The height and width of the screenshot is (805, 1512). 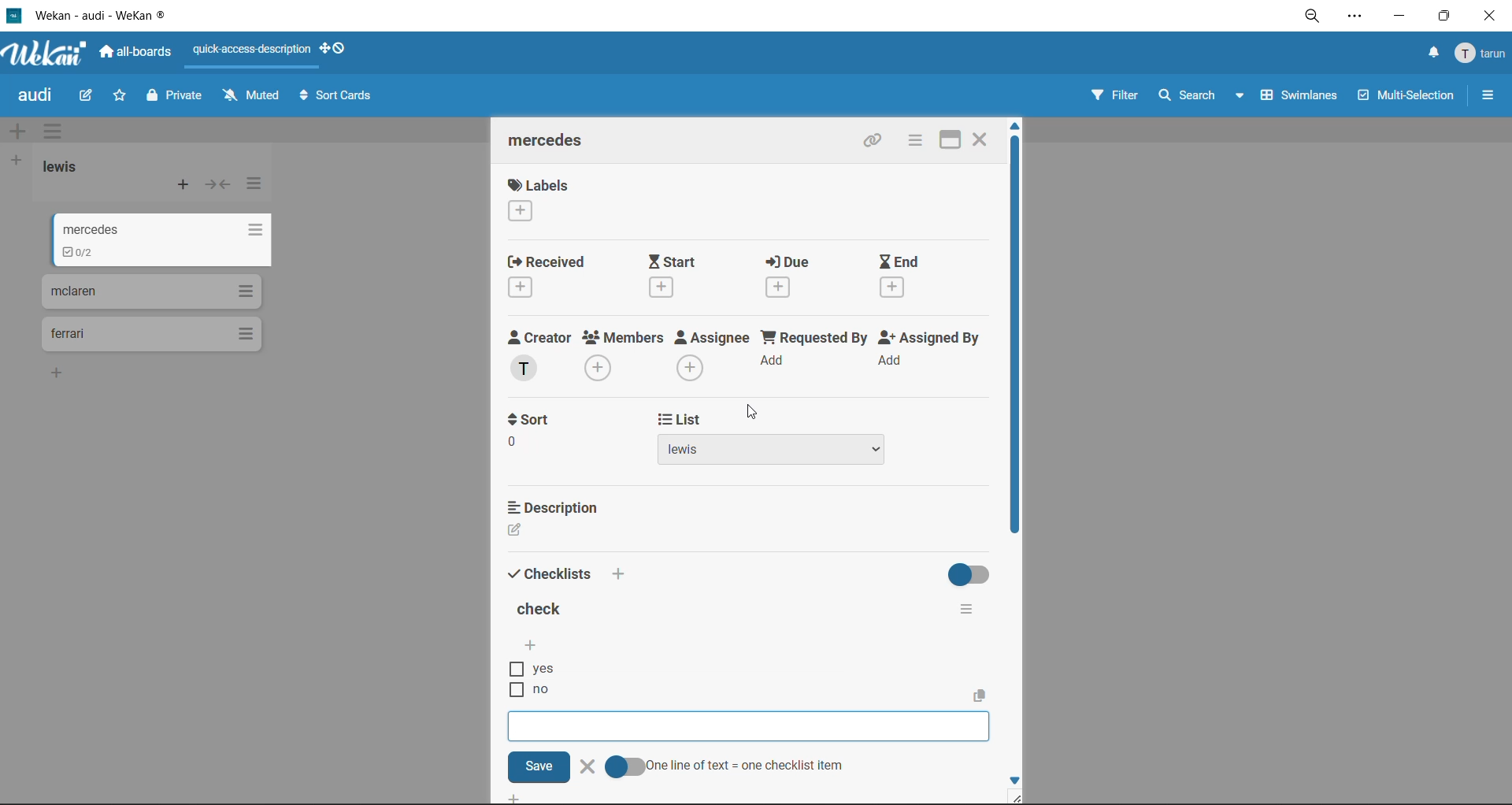 I want to click on multiselection, so click(x=1407, y=98).